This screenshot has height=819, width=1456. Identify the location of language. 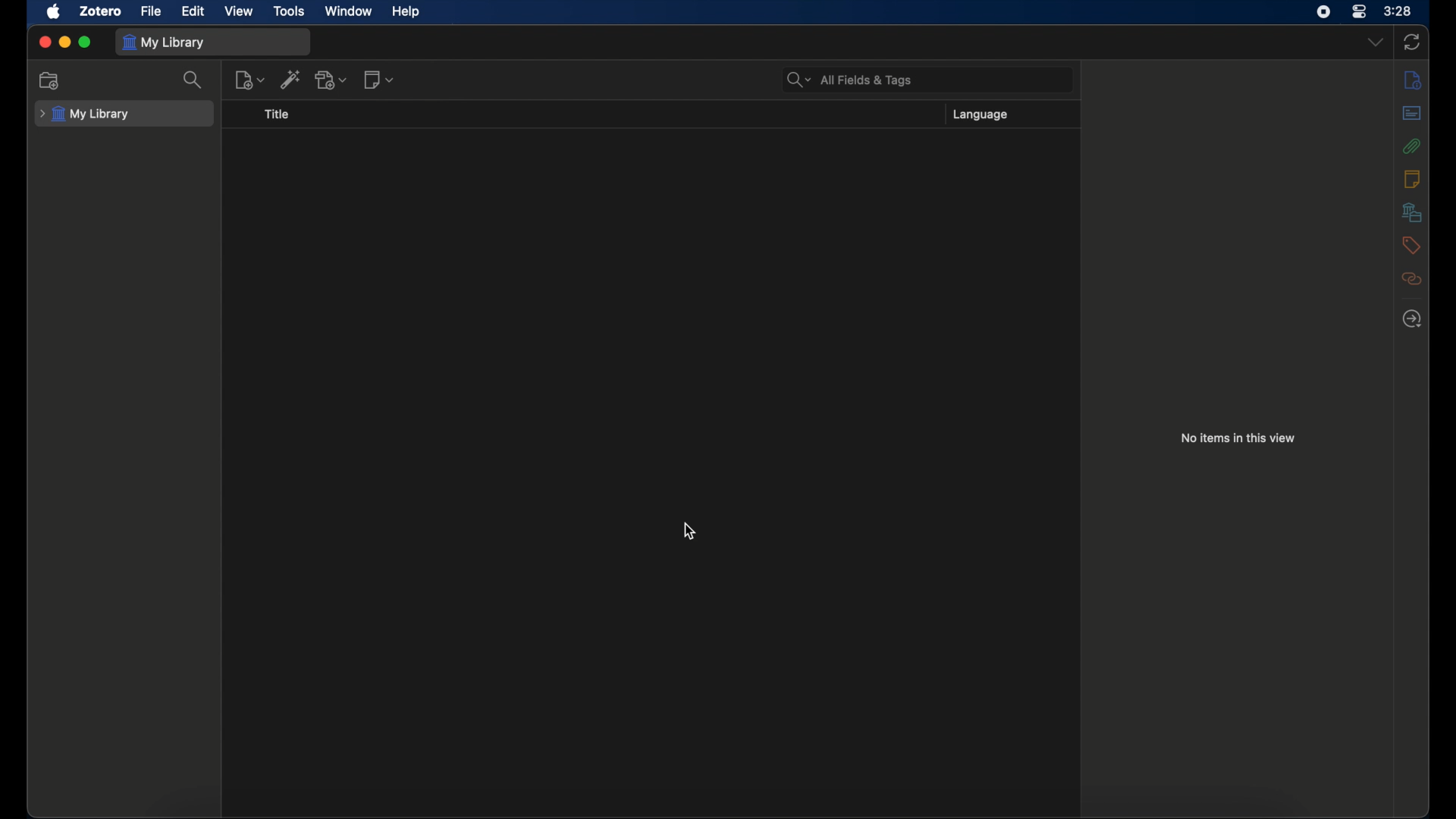
(981, 115).